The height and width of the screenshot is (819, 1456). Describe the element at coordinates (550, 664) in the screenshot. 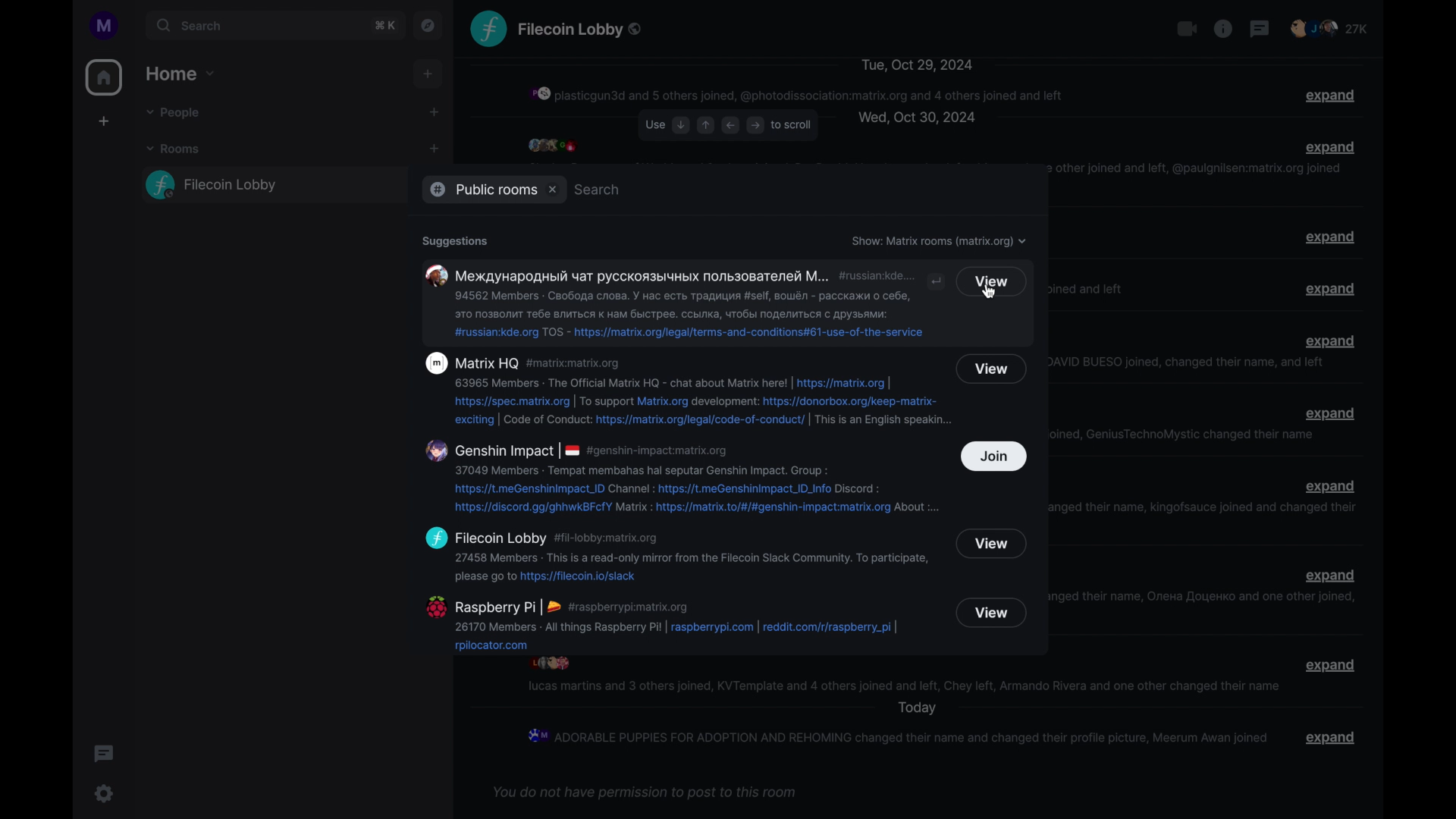

I see `participants` at that location.